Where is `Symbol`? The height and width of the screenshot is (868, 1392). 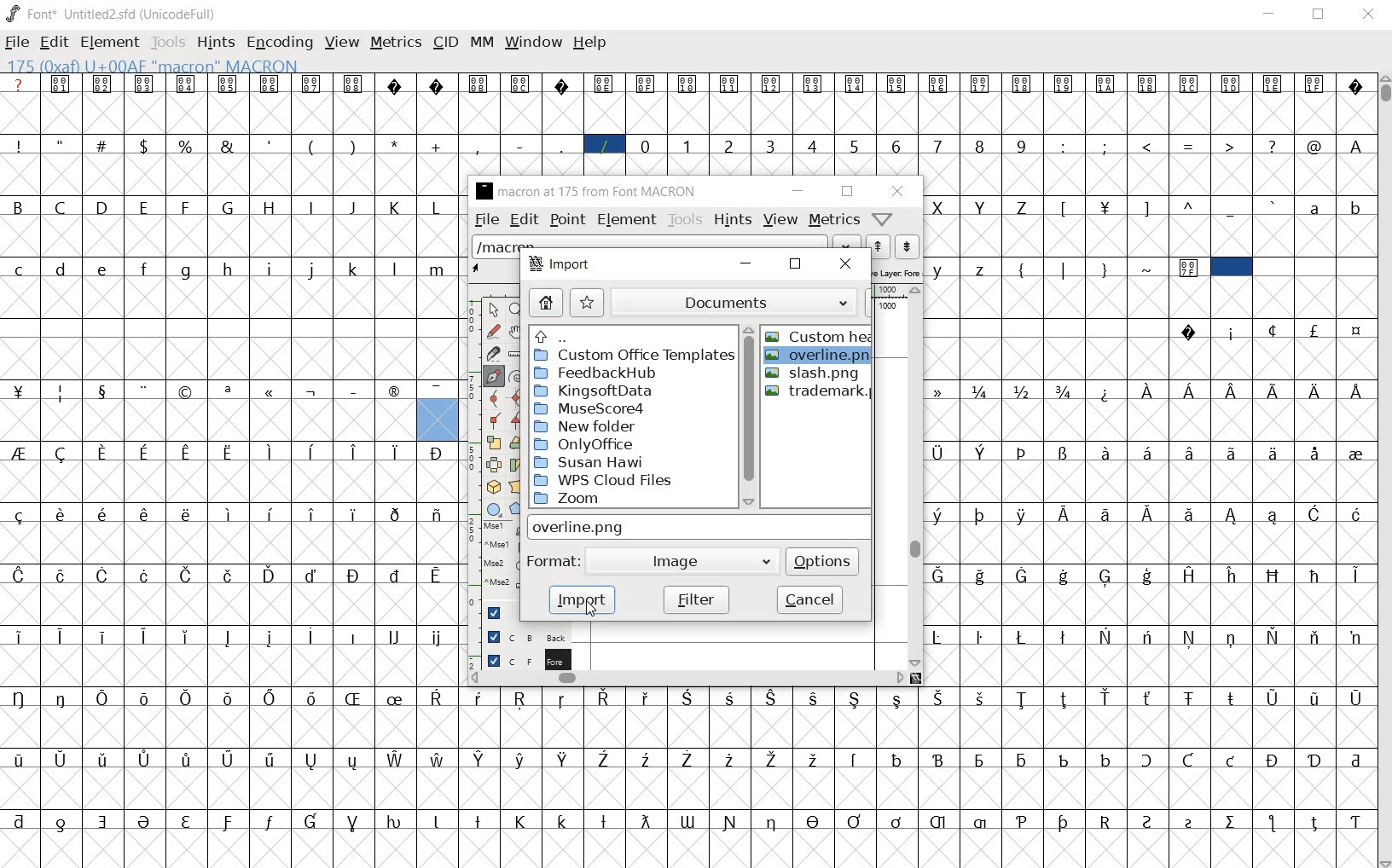 Symbol is located at coordinates (1188, 269).